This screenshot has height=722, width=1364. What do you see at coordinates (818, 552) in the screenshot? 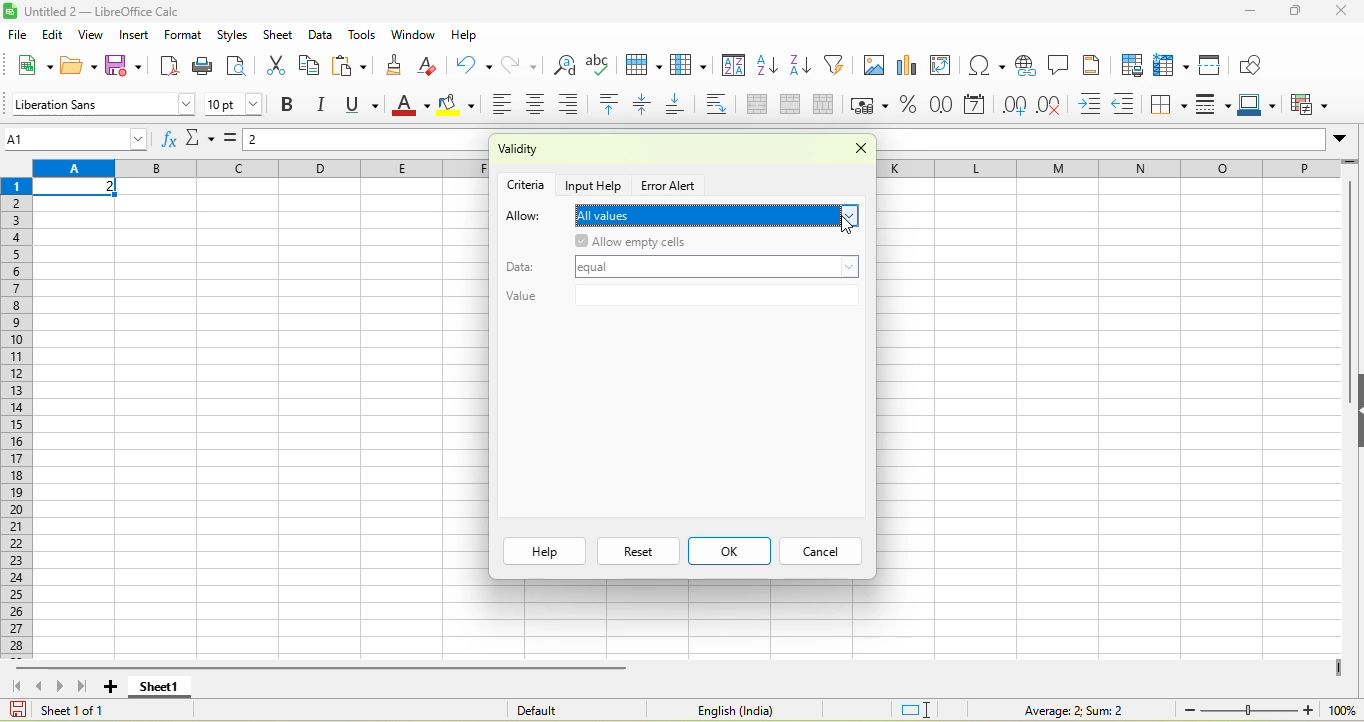
I see `cancel` at bounding box center [818, 552].